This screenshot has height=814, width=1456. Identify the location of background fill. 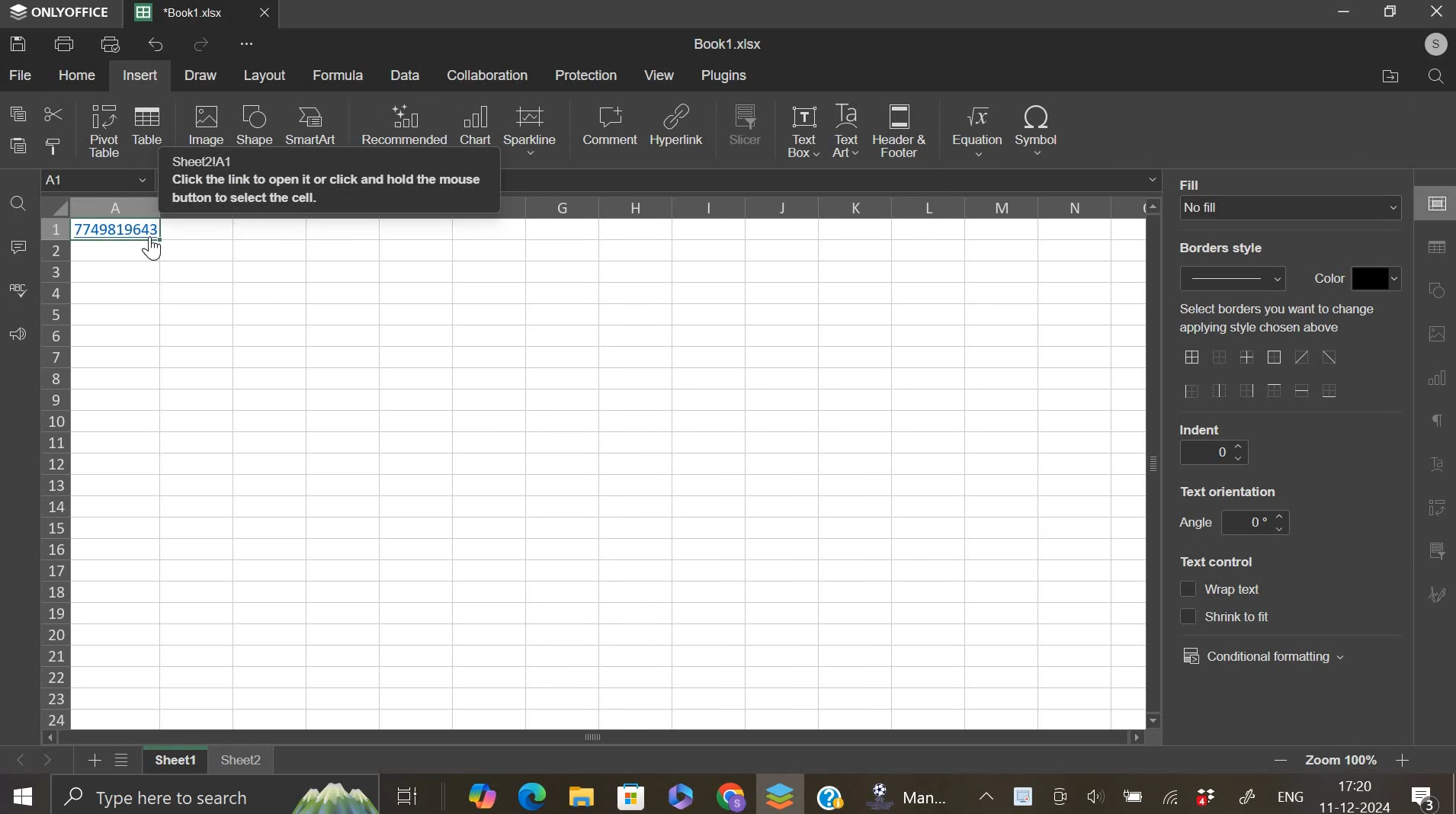
(1291, 207).